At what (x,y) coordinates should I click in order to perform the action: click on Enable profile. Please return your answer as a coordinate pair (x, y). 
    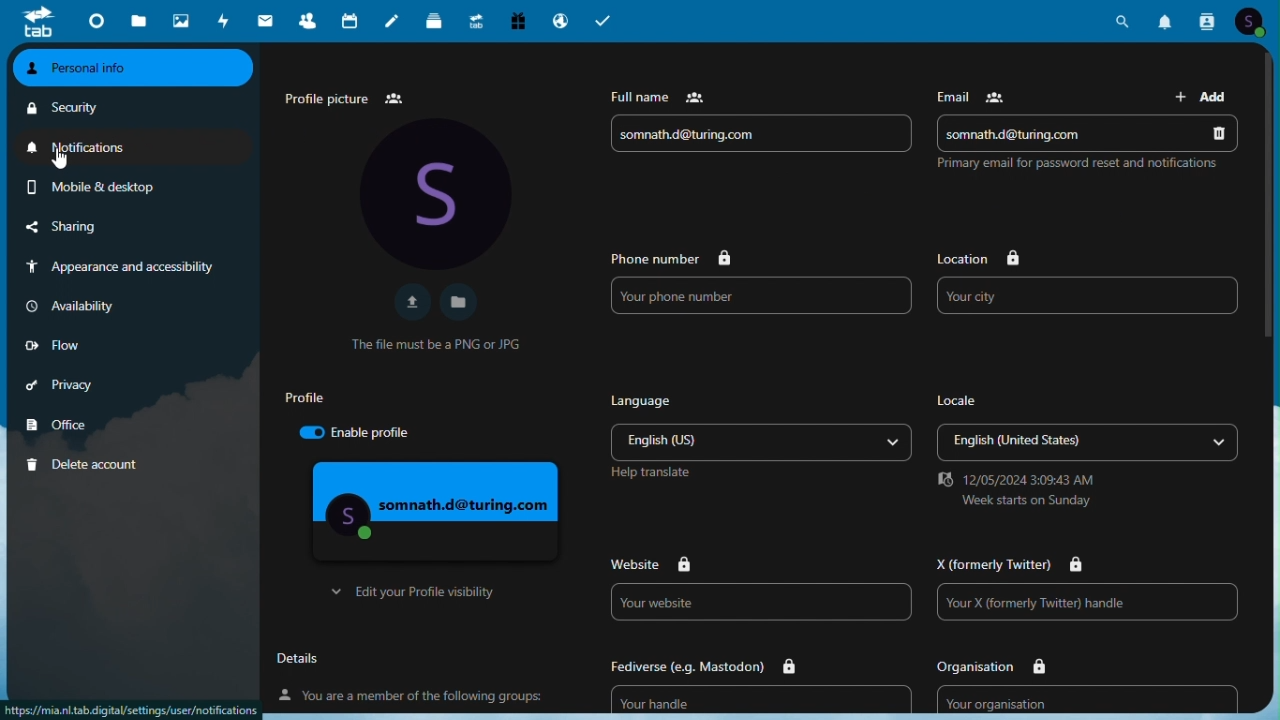
    Looking at the image, I should click on (357, 432).